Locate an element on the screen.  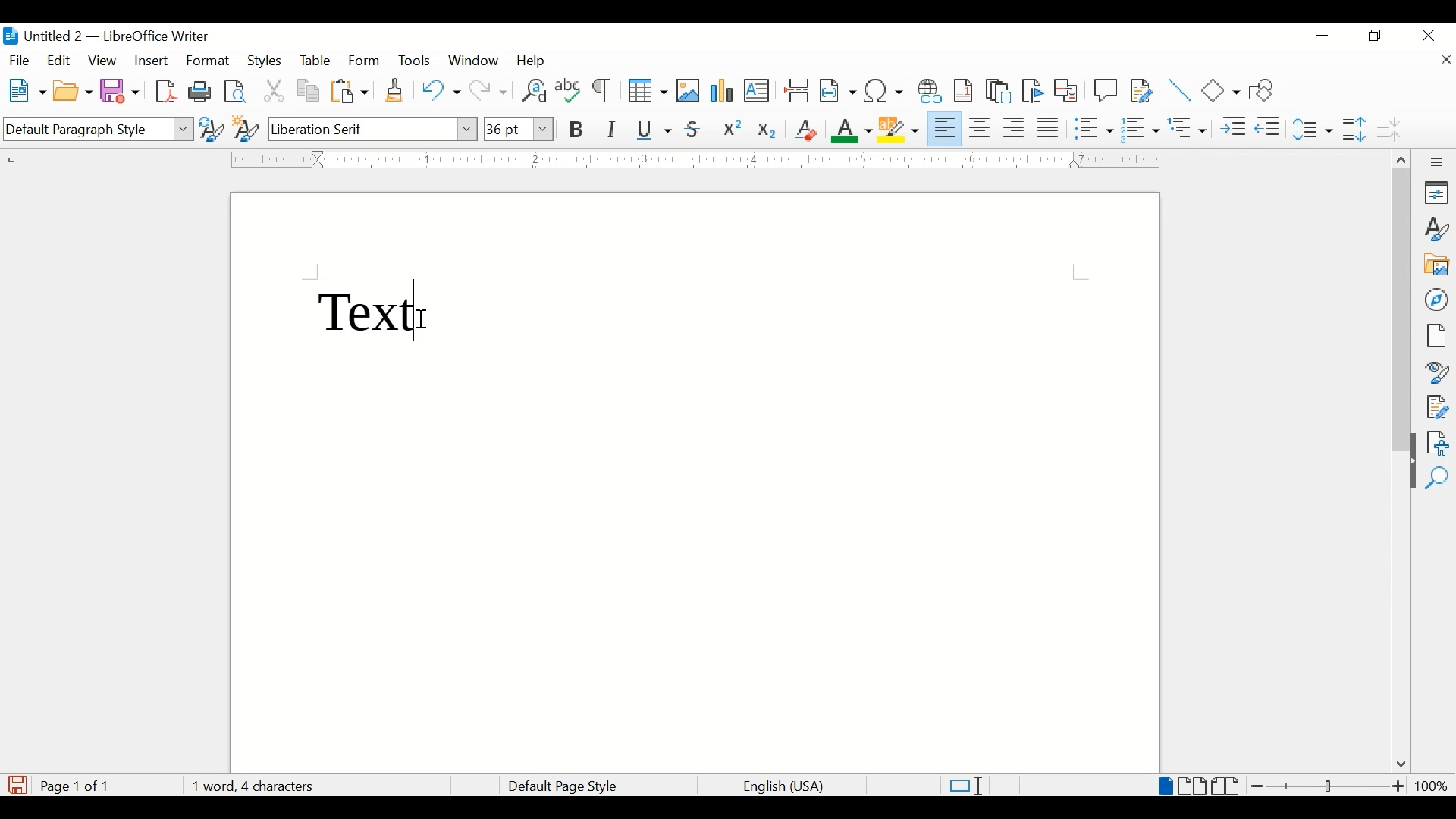
guides is located at coordinates (1081, 272).